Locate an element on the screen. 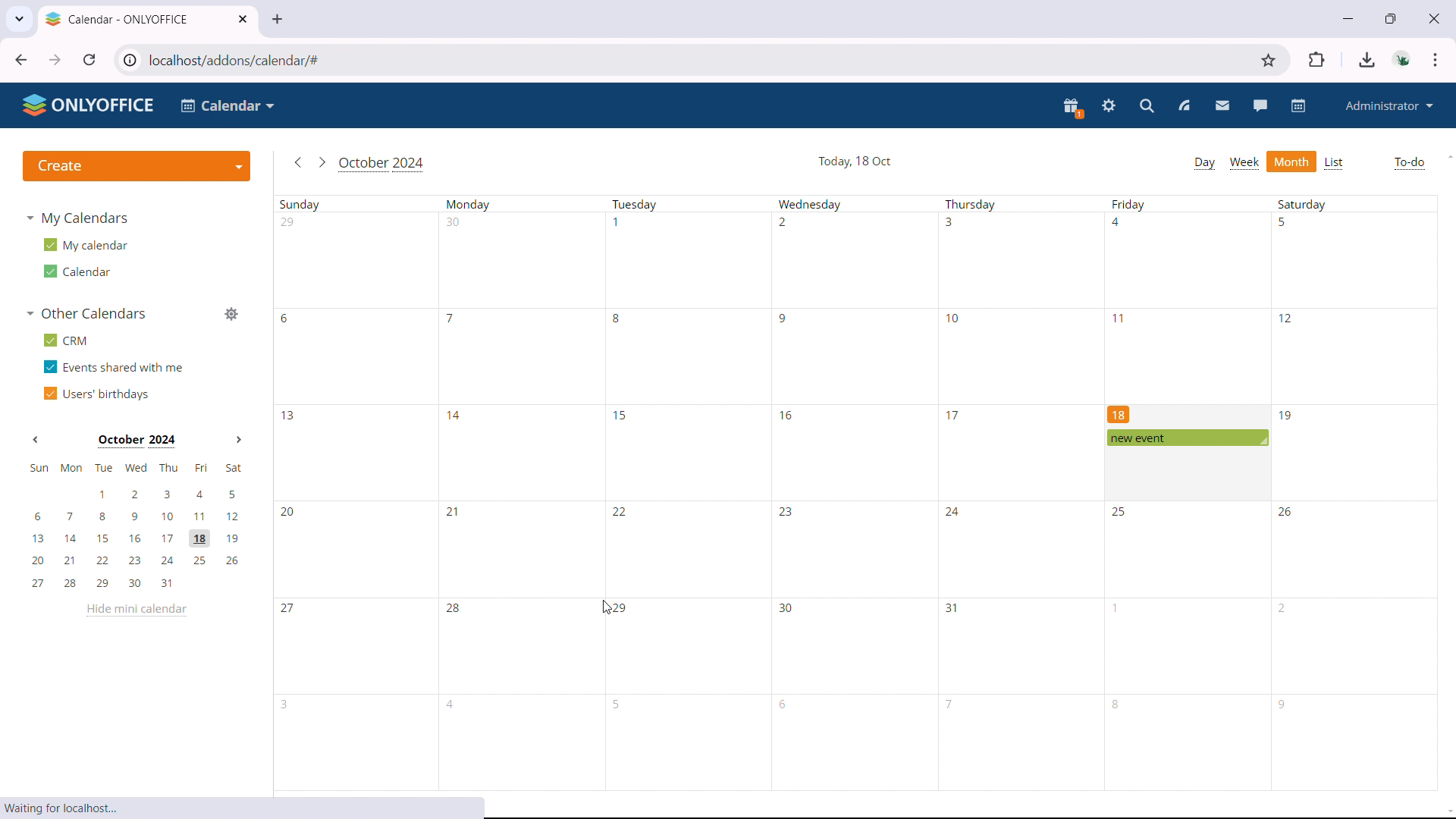 Image resolution: width=1456 pixels, height=819 pixels. 8 is located at coordinates (617, 318).